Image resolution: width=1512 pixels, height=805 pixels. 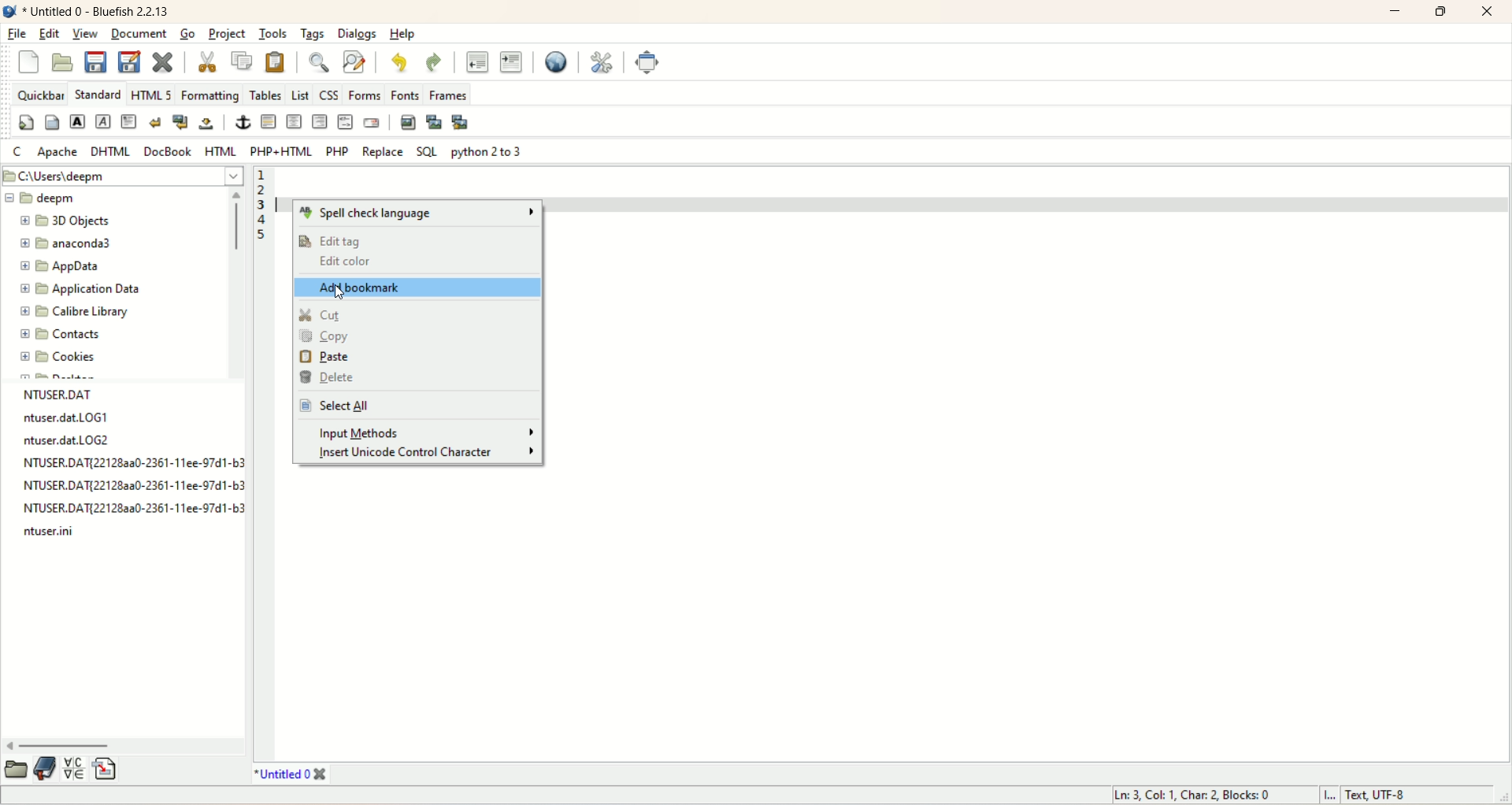 I want to click on maximize, so click(x=1440, y=12).